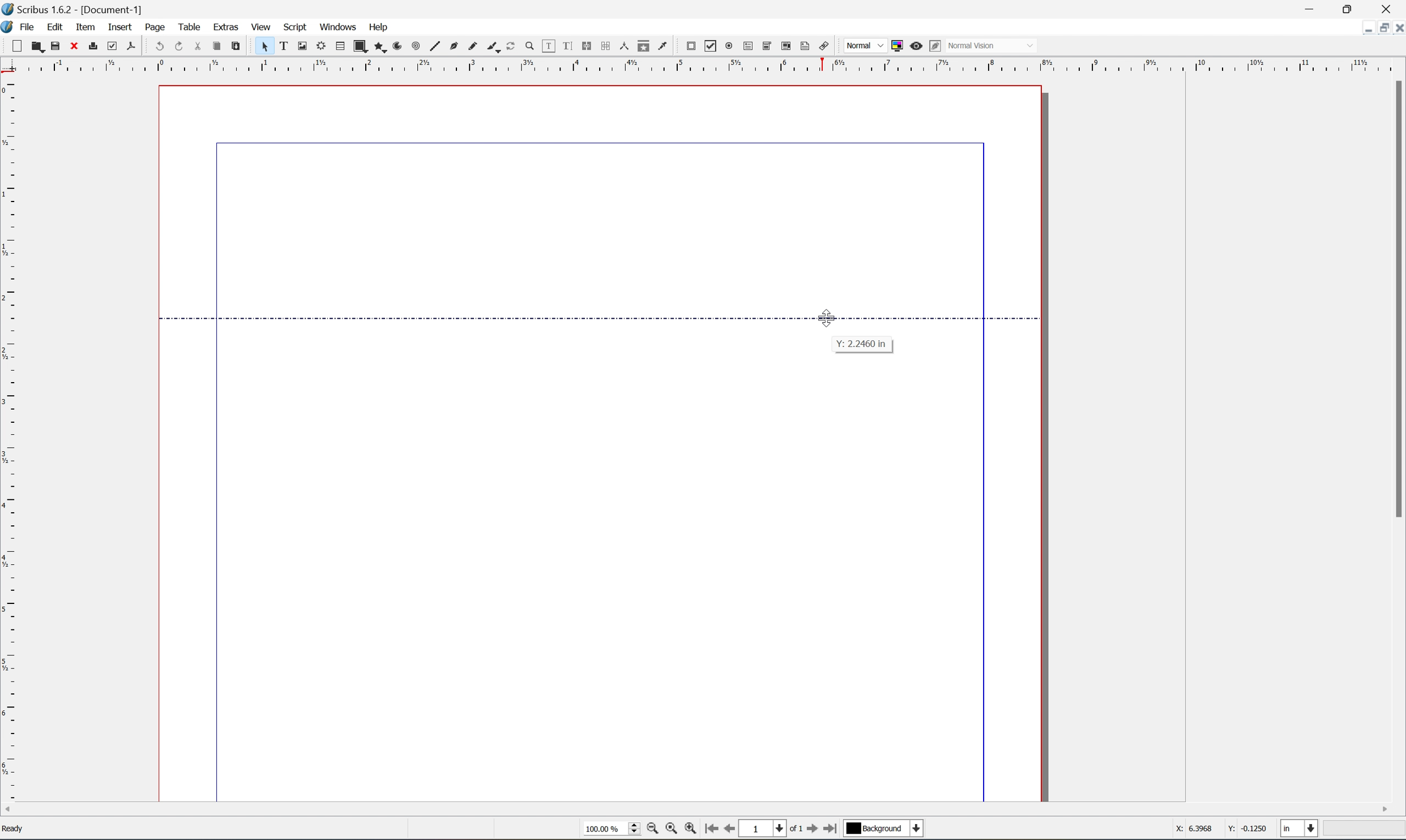 The image size is (1406, 840). I want to click on pdf push button, so click(691, 46).